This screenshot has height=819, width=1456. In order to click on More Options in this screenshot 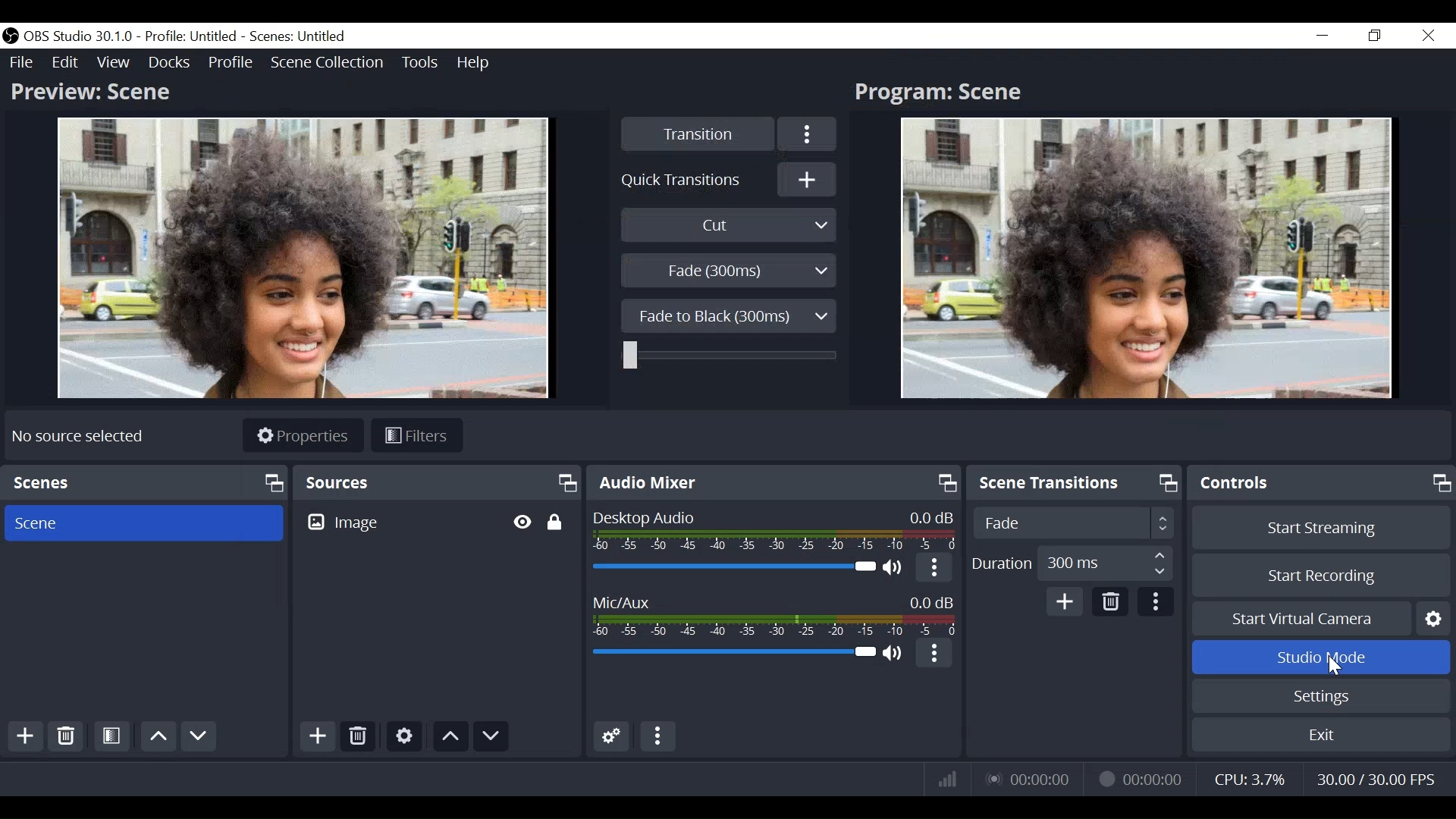, I will do `click(1155, 603)`.